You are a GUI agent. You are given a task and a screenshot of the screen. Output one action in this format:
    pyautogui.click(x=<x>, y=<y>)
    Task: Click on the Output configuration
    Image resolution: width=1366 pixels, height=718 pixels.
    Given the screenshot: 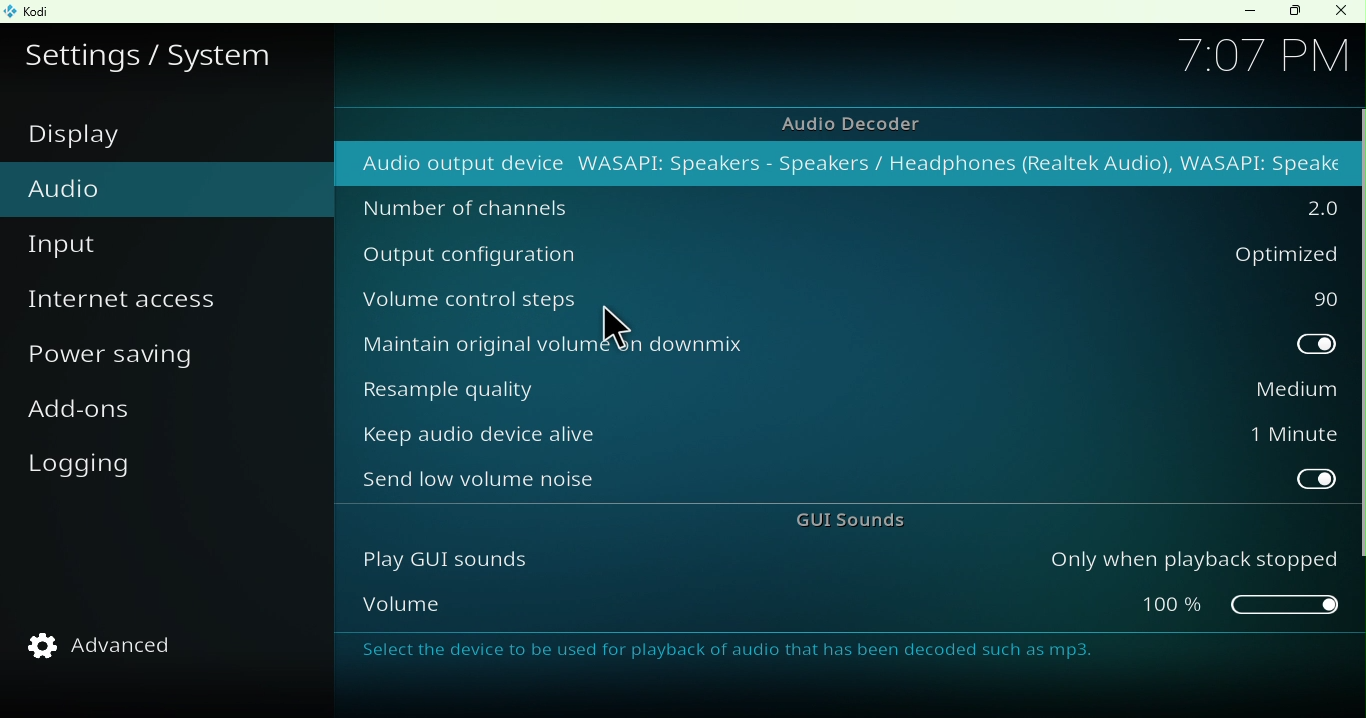 What is the action you would take?
    pyautogui.click(x=714, y=254)
    